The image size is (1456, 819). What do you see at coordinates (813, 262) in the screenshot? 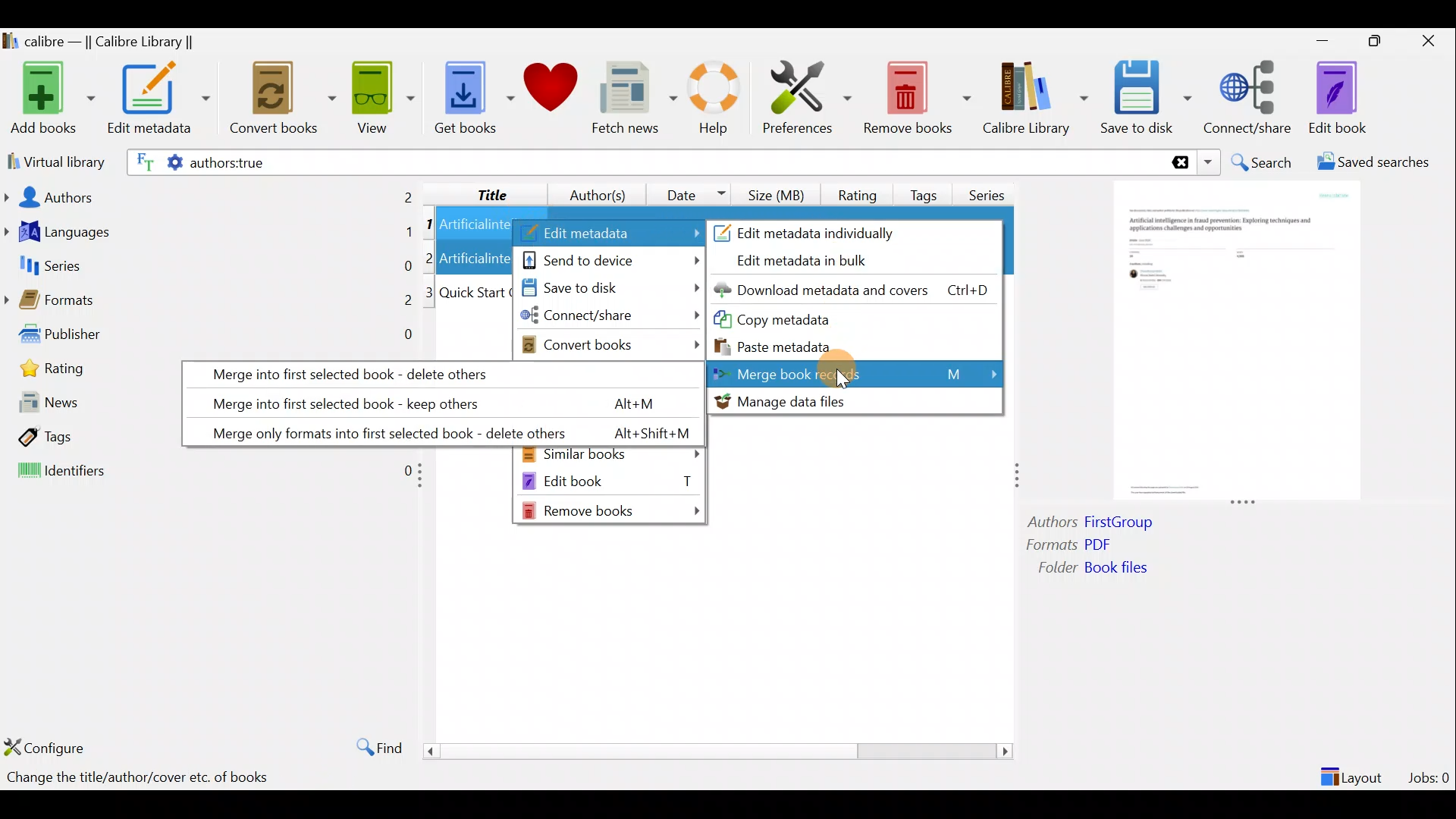
I see `Edit metadata in bulk` at bounding box center [813, 262].